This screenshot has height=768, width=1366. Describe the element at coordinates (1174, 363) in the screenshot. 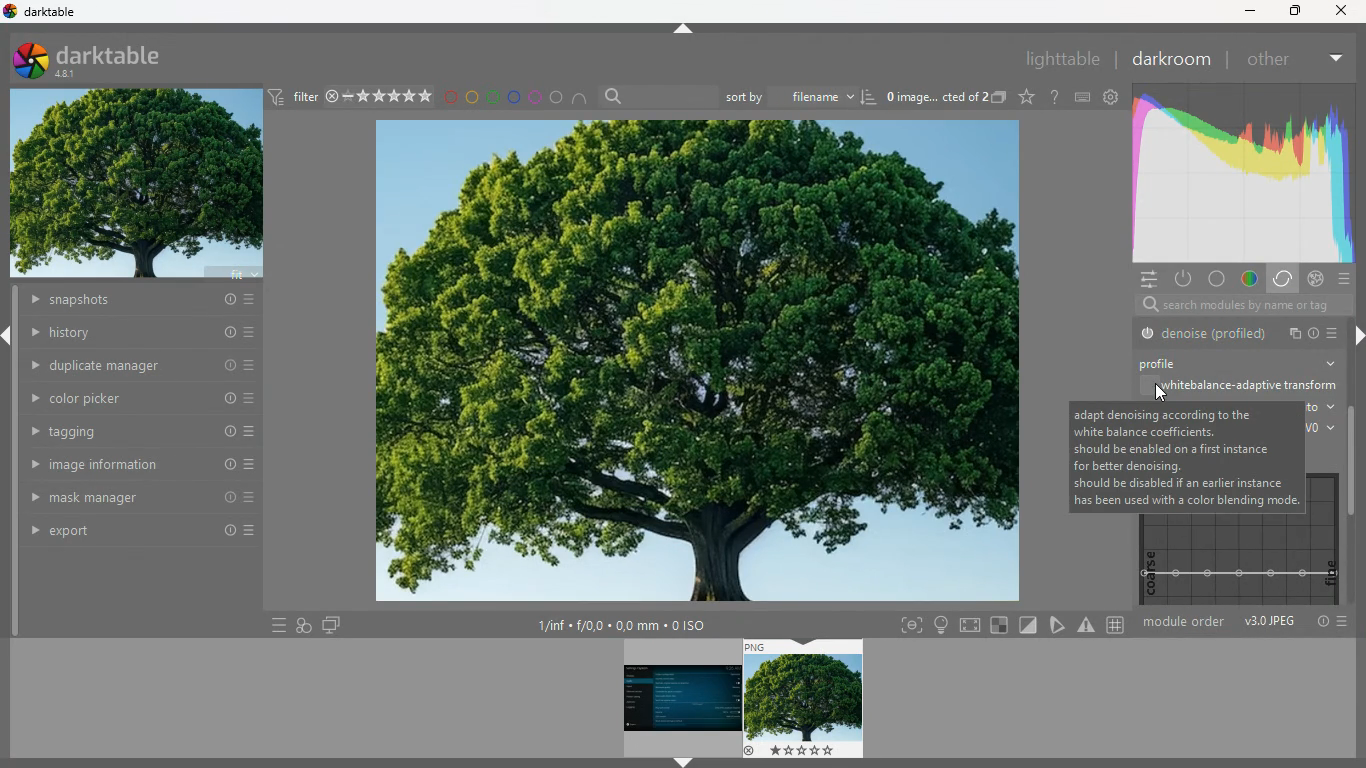

I see `profile` at that location.